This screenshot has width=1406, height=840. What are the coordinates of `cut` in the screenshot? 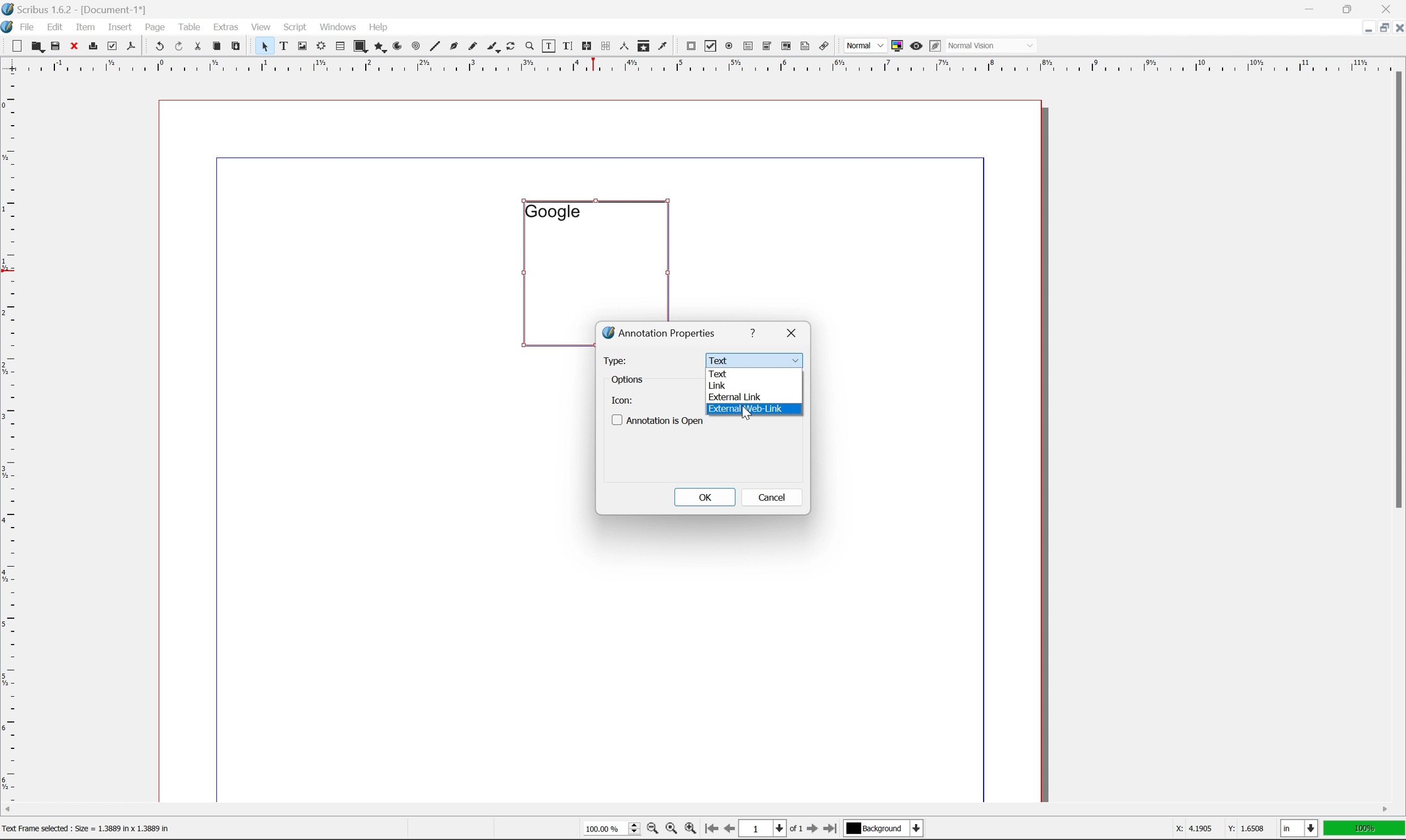 It's located at (198, 46).